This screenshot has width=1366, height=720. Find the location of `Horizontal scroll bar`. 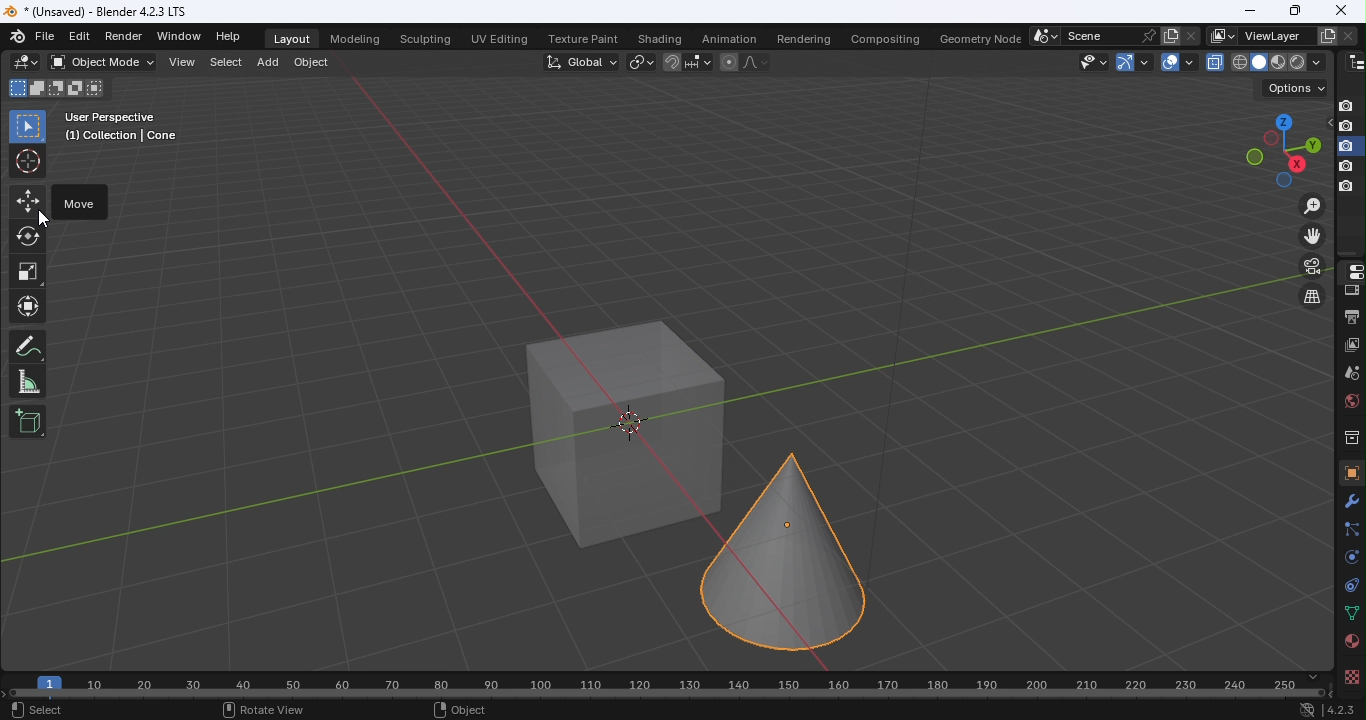

Horizontal scroll bar is located at coordinates (669, 694).